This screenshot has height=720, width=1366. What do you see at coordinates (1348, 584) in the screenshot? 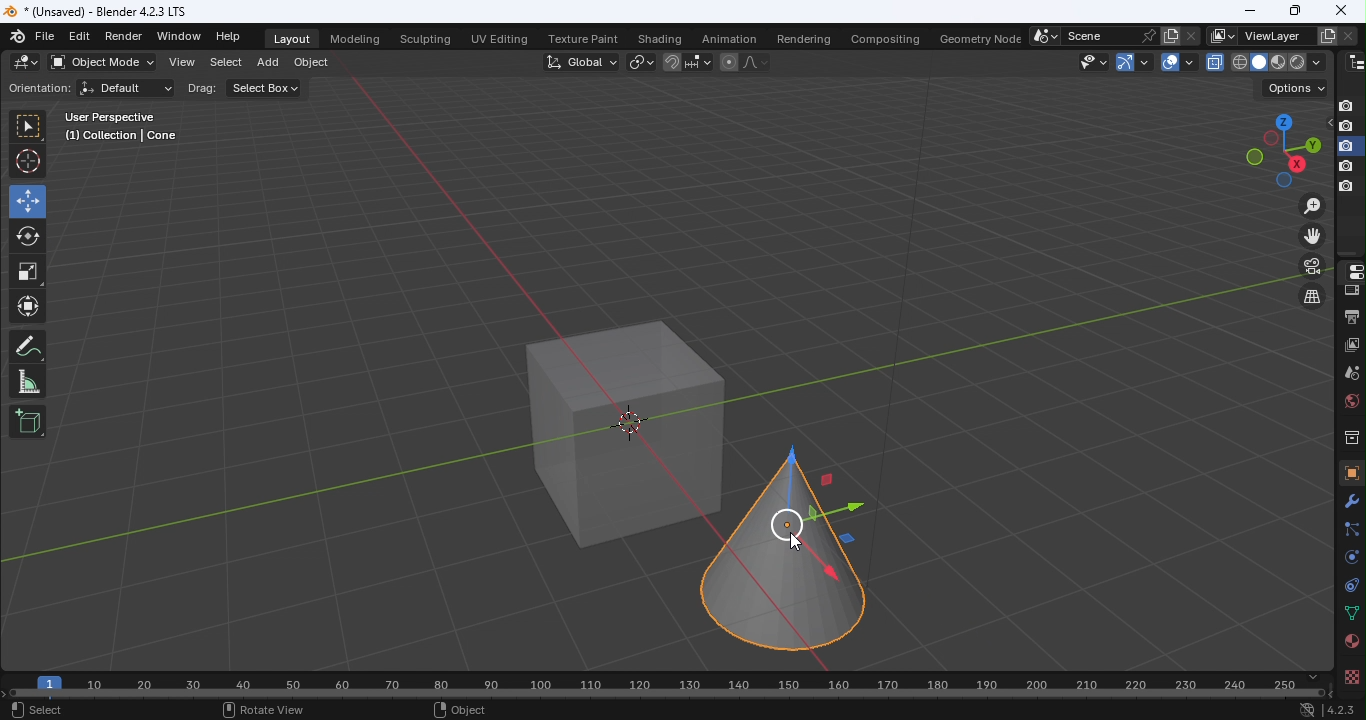
I see `Constraints` at bounding box center [1348, 584].